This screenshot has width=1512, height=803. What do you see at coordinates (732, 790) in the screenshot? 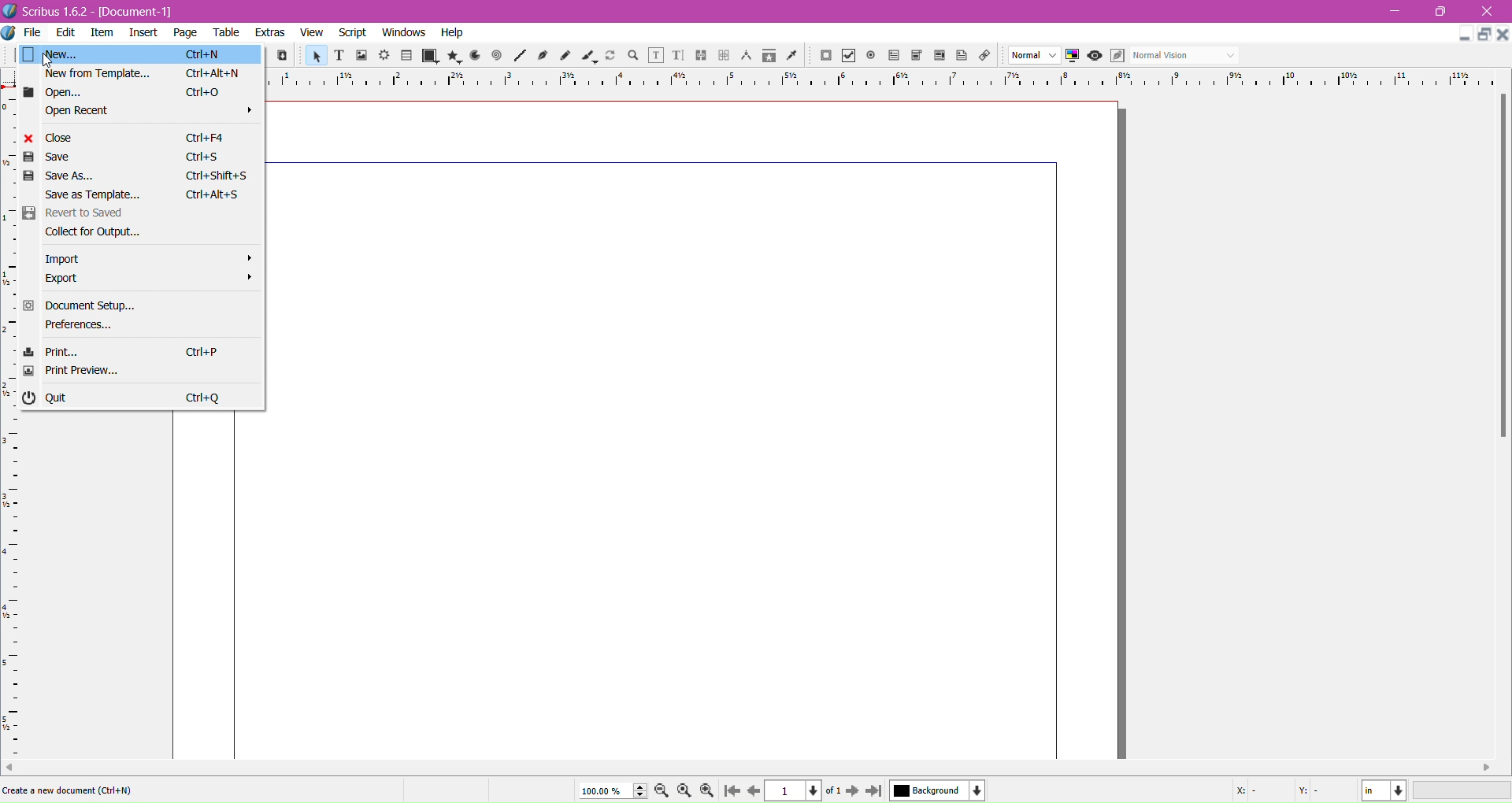
I see `skip to first` at bounding box center [732, 790].